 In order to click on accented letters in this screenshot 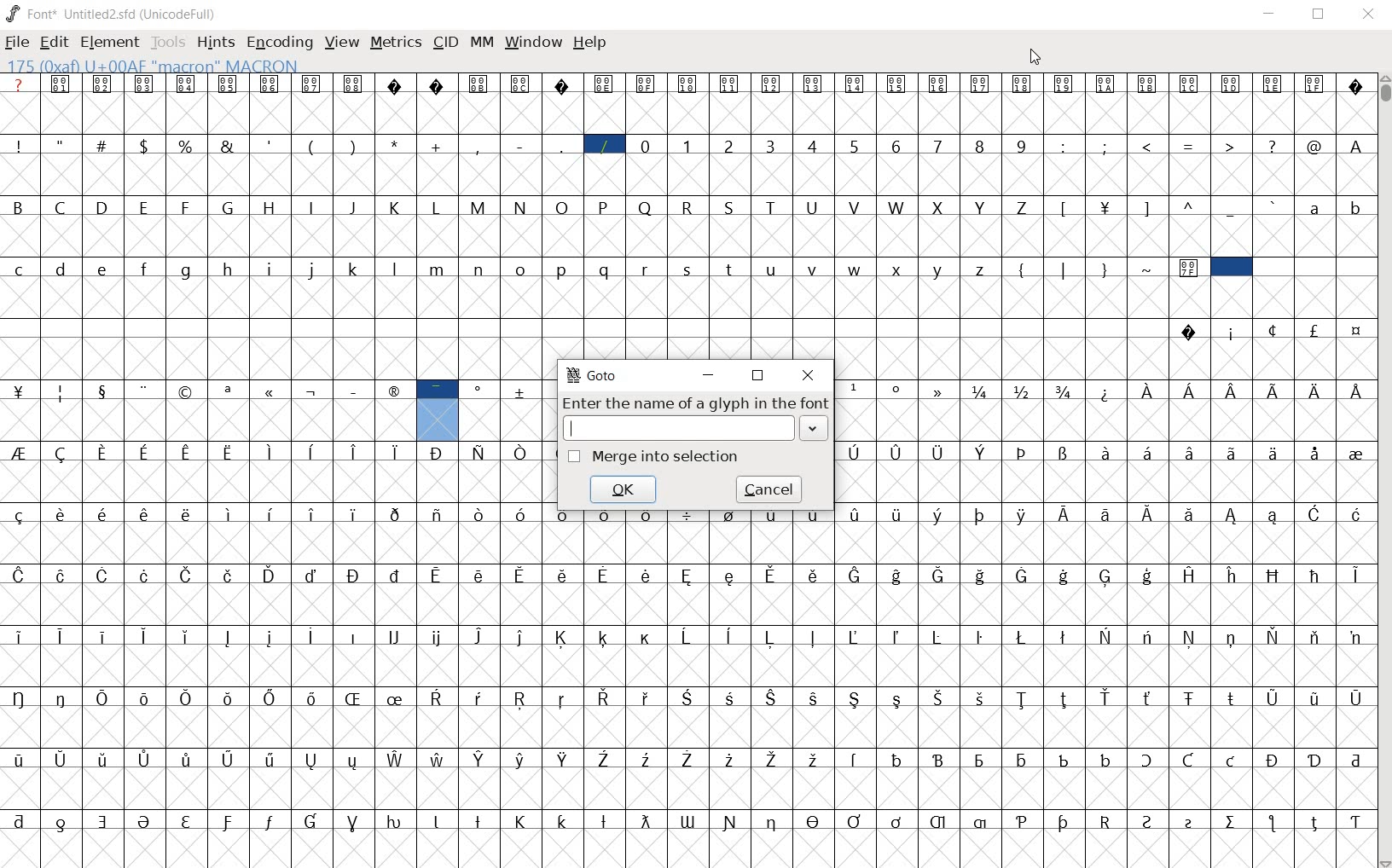, I will do `click(416, 778)`.